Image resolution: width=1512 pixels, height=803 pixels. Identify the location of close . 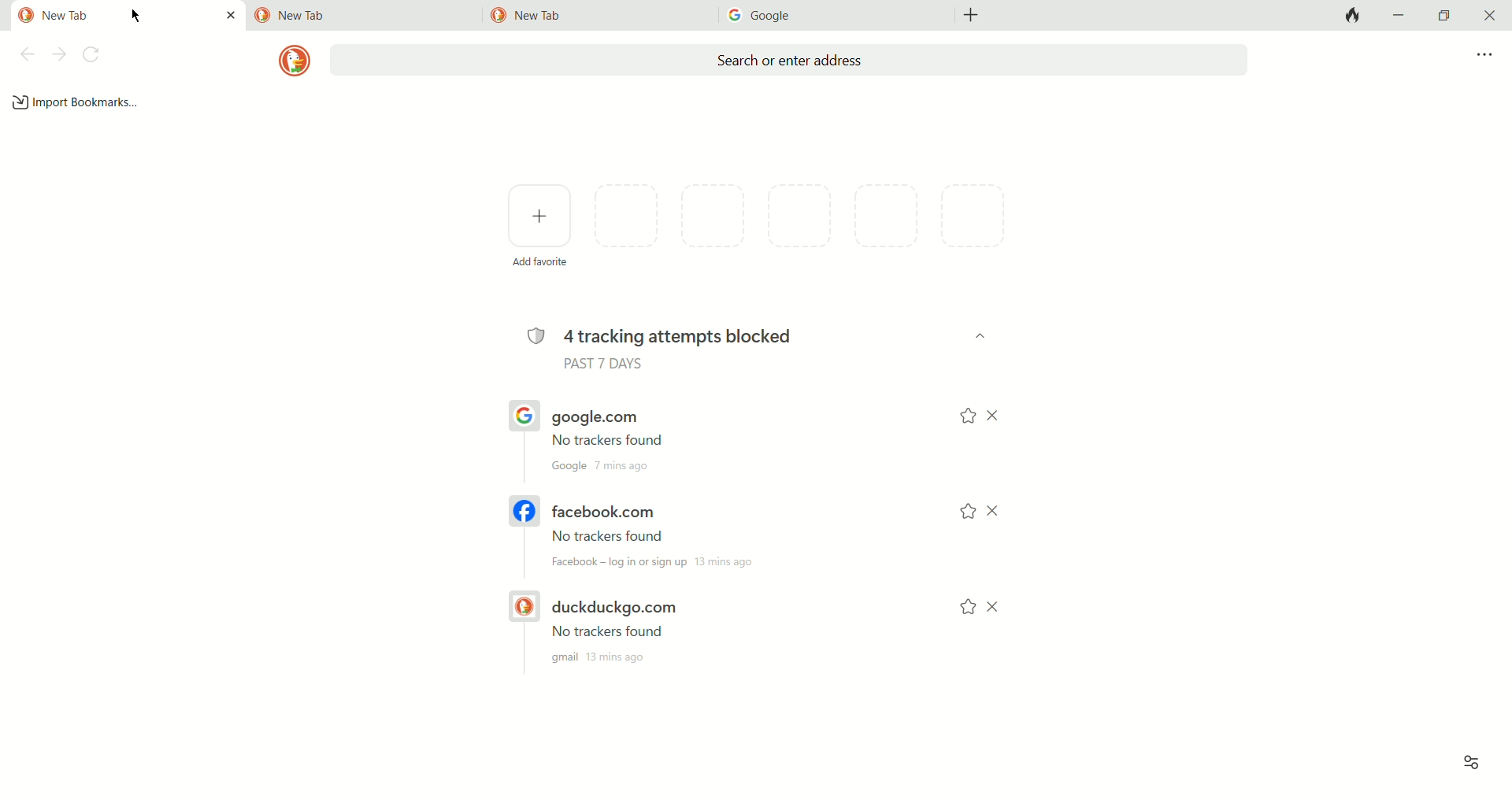
(999, 606).